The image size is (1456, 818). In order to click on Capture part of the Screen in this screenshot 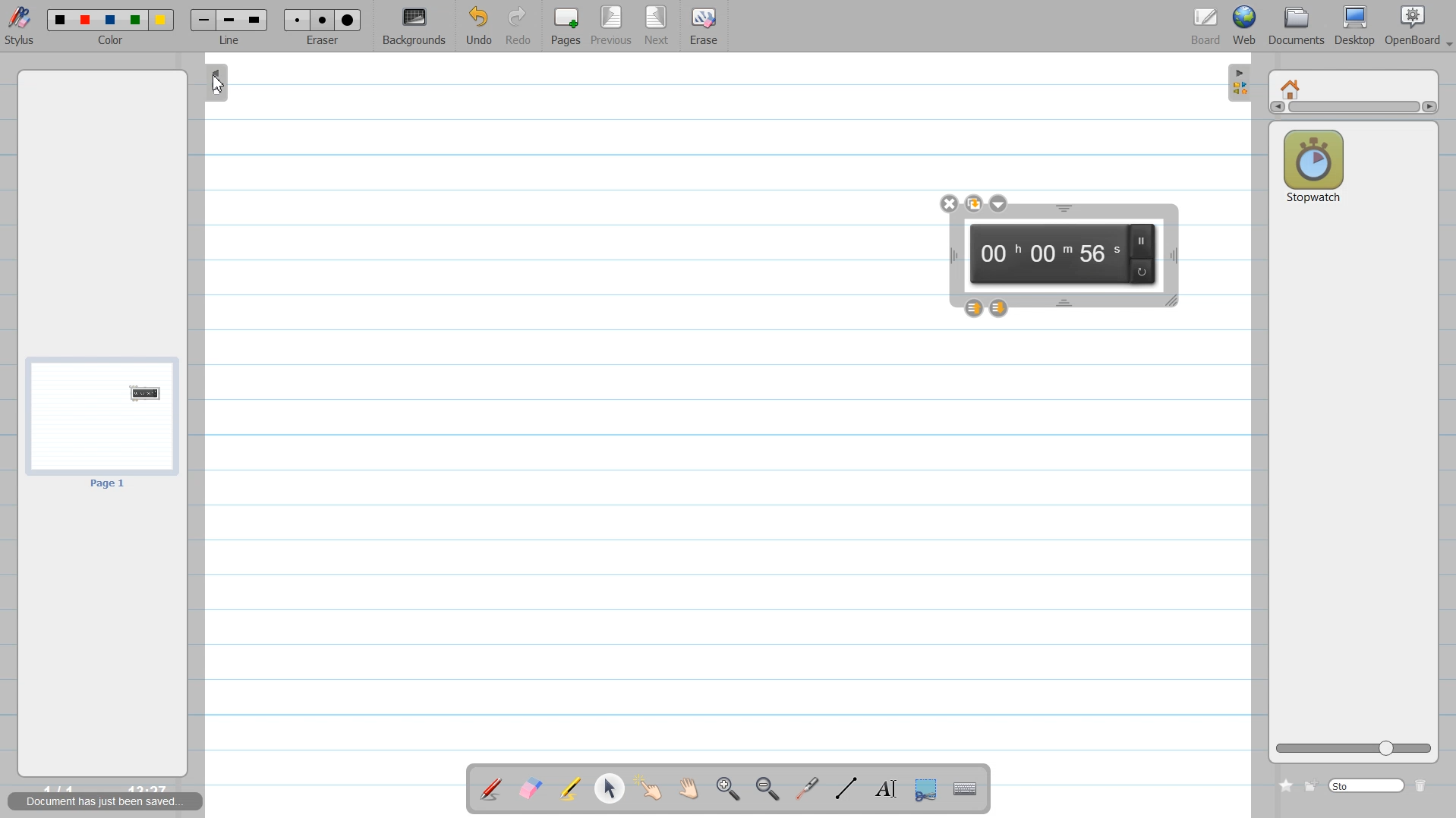, I will do `click(930, 790)`.